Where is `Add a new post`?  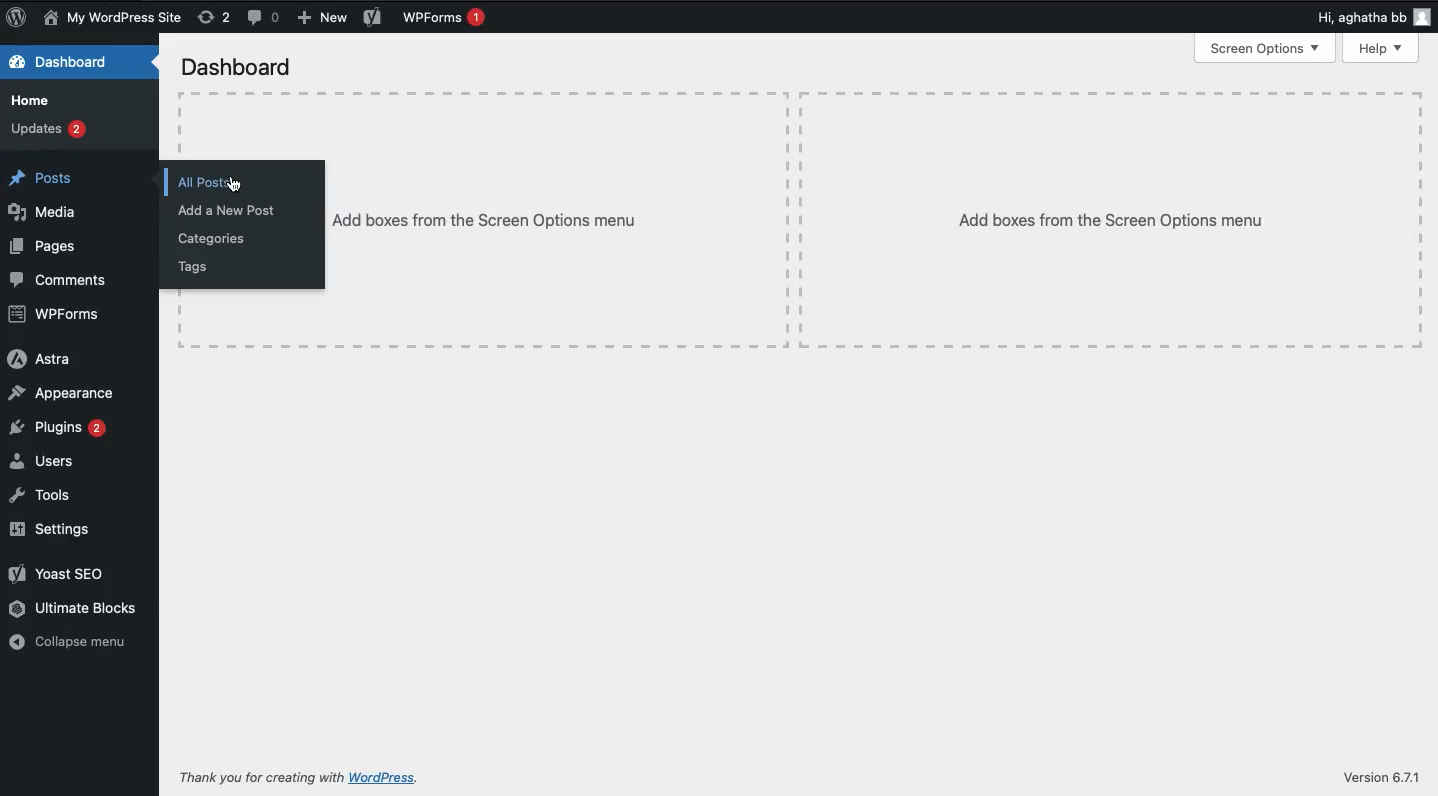 Add a new post is located at coordinates (224, 214).